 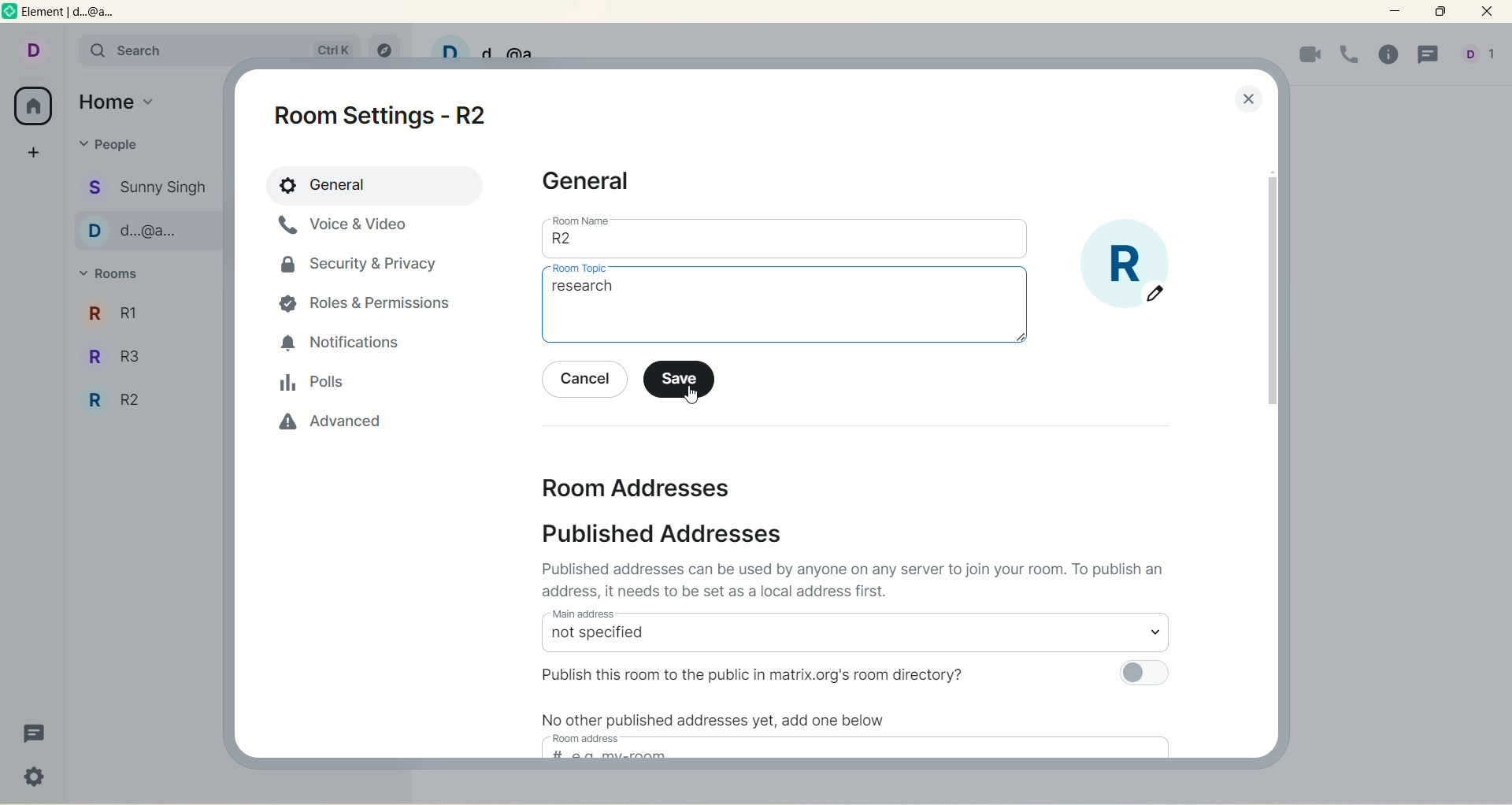 I want to click on voice & video, so click(x=350, y=232).